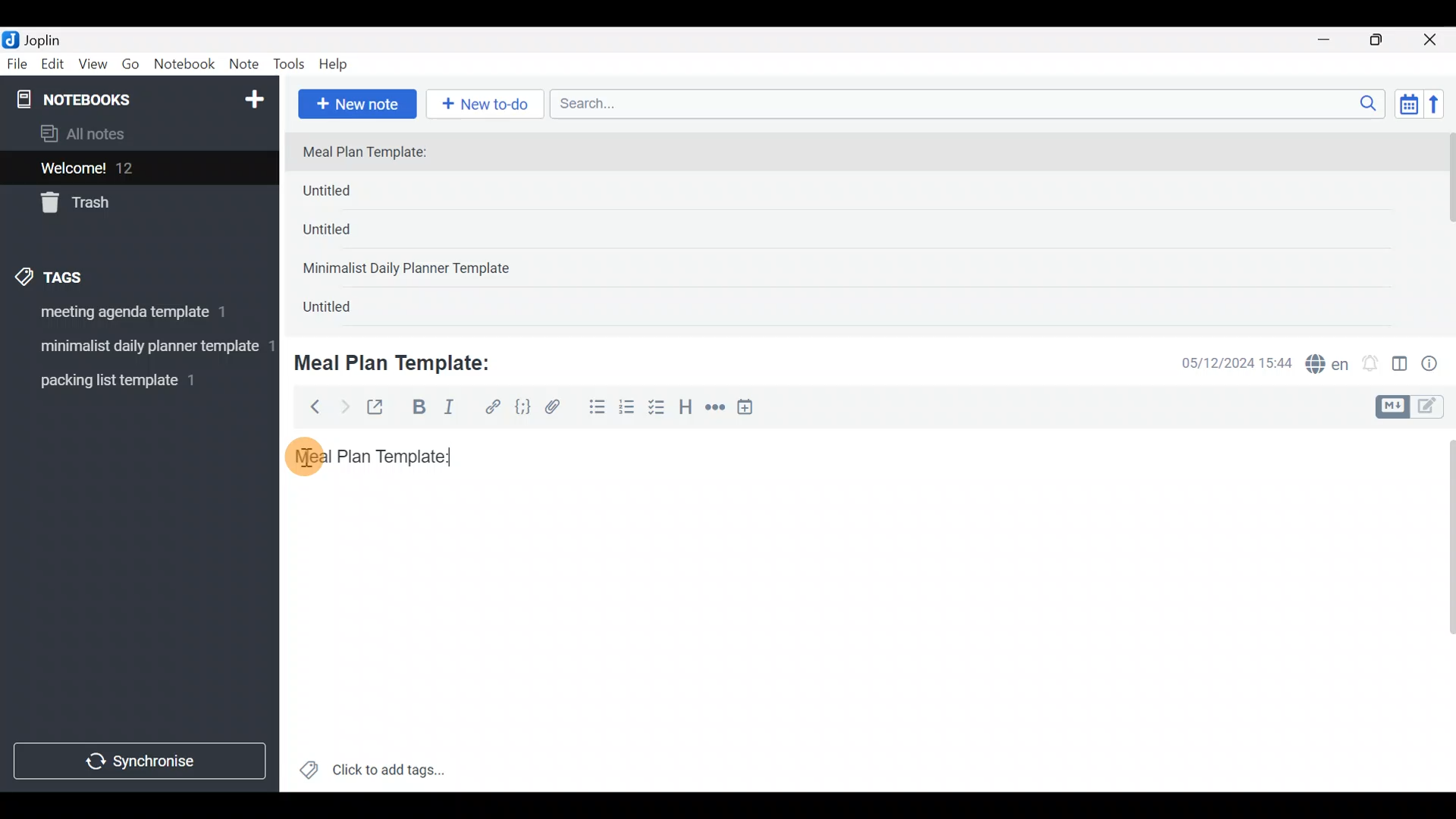  I want to click on Back, so click(309, 406).